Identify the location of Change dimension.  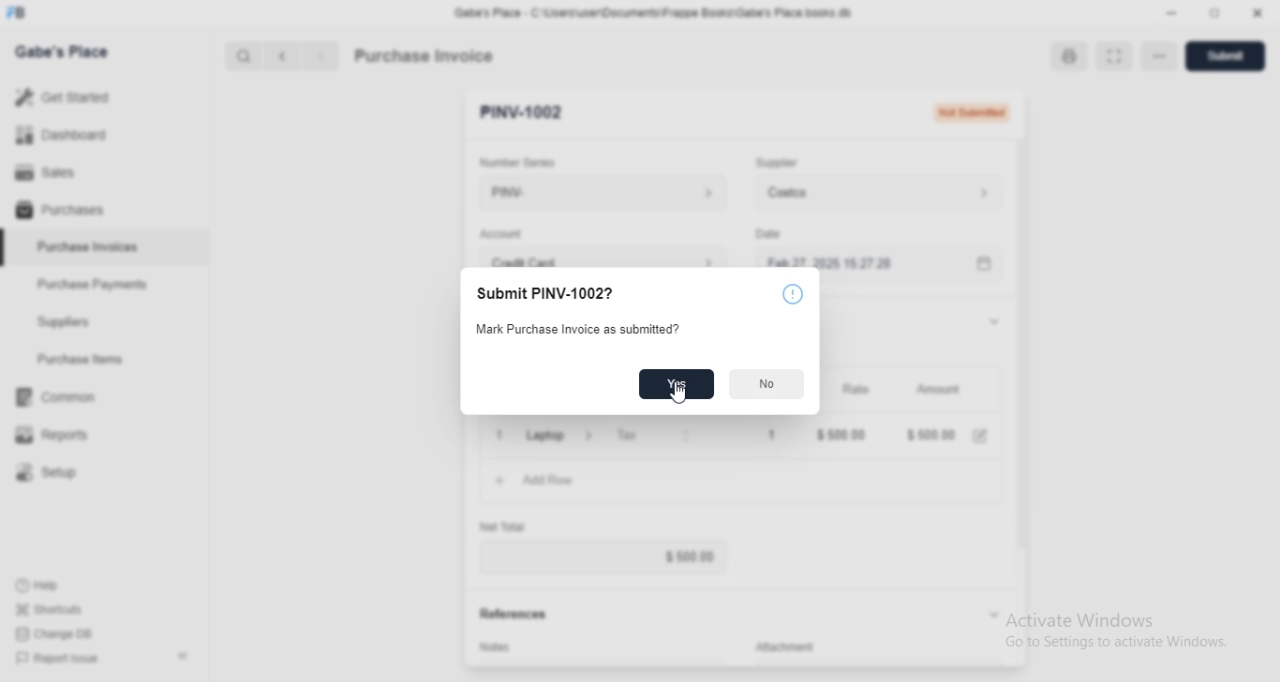
(1215, 13).